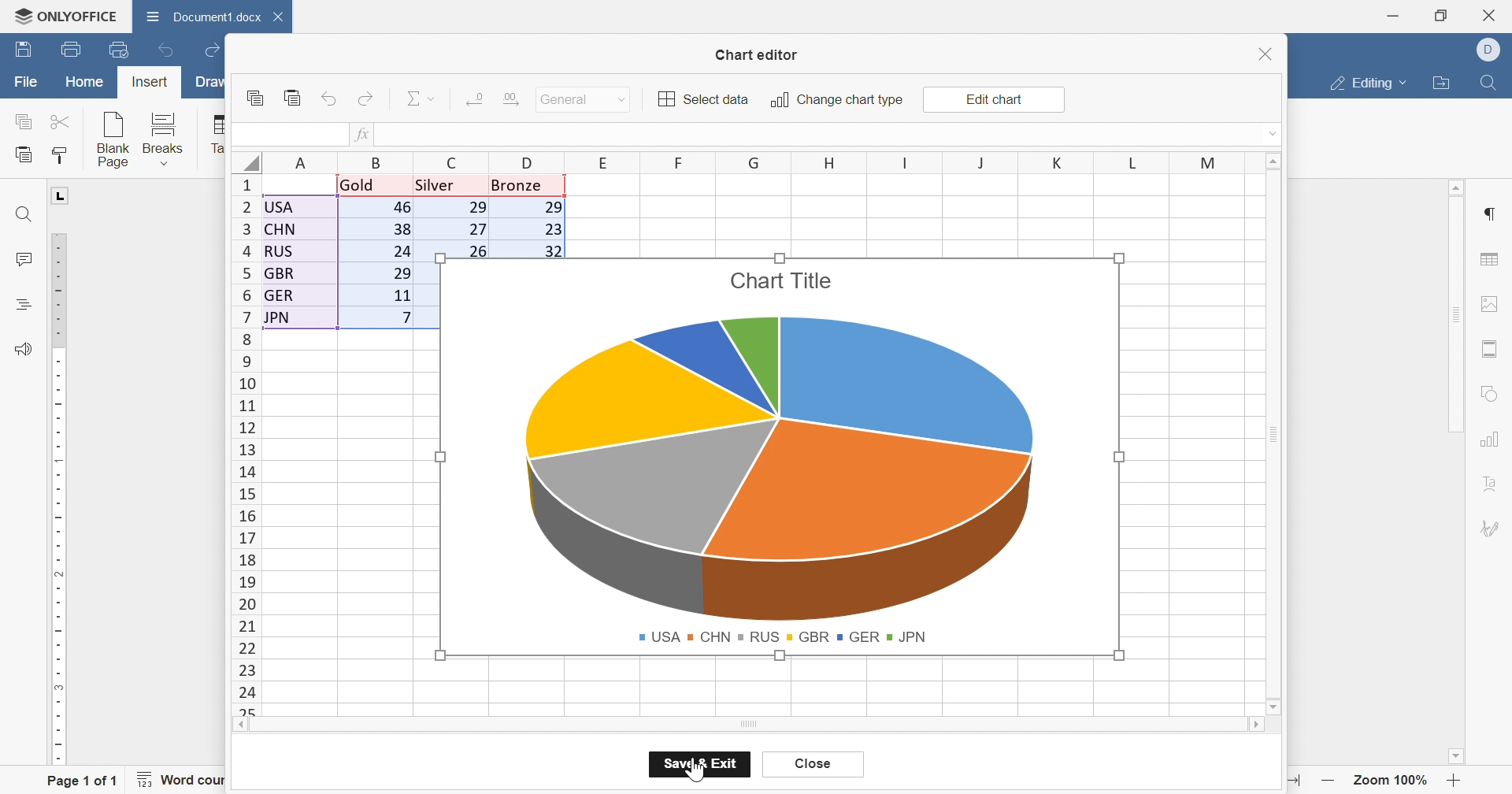 Image resolution: width=1512 pixels, height=794 pixels. I want to click on Print file, so click(69, 48).